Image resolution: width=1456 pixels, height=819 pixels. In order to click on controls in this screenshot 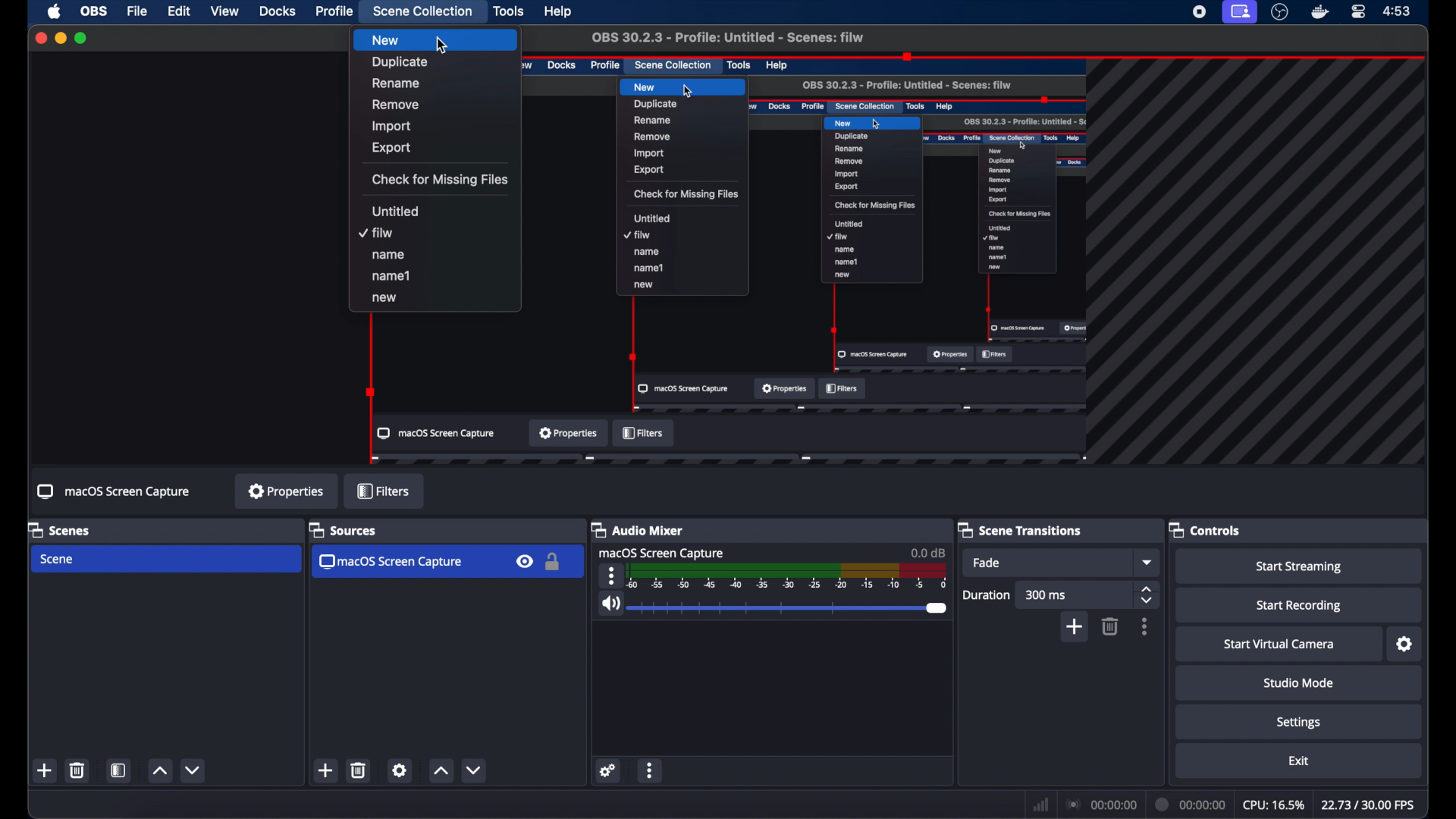, I will do `click(1207, 529)`.